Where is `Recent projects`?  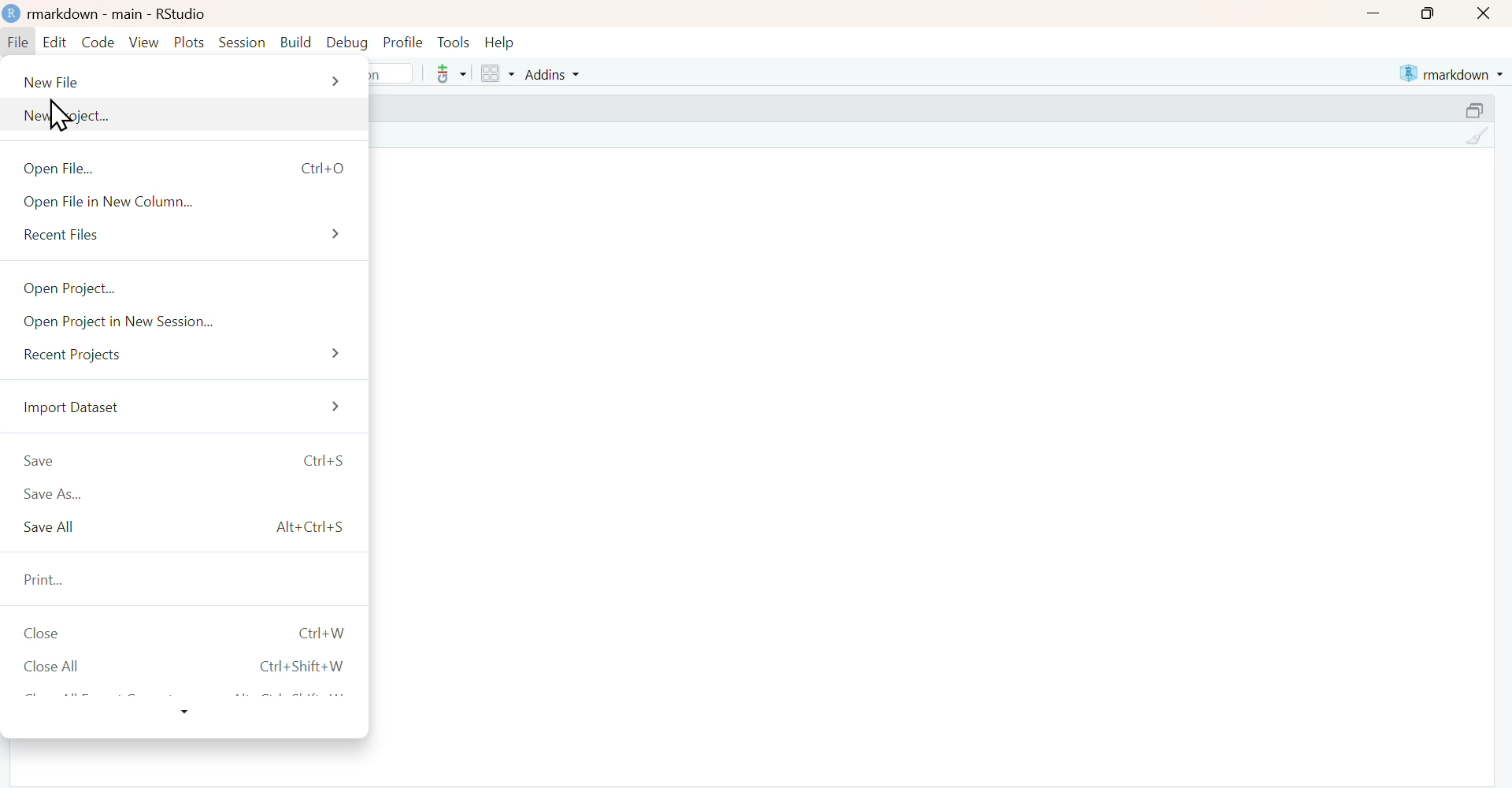
Recent projects is located at coordinates (191, 359).